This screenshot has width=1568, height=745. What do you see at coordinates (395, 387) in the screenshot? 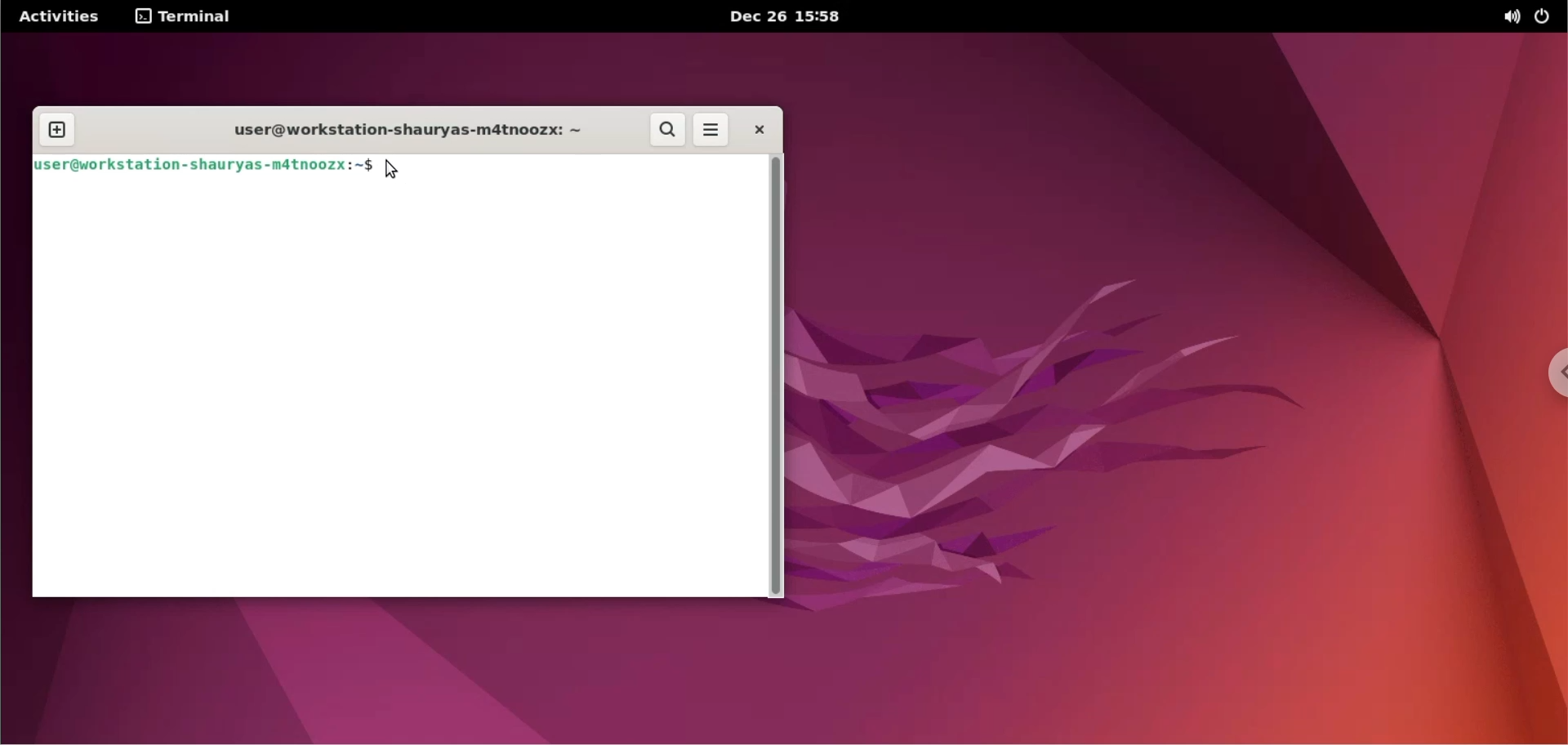
I see `Command input` at bounding box center [395, 387].